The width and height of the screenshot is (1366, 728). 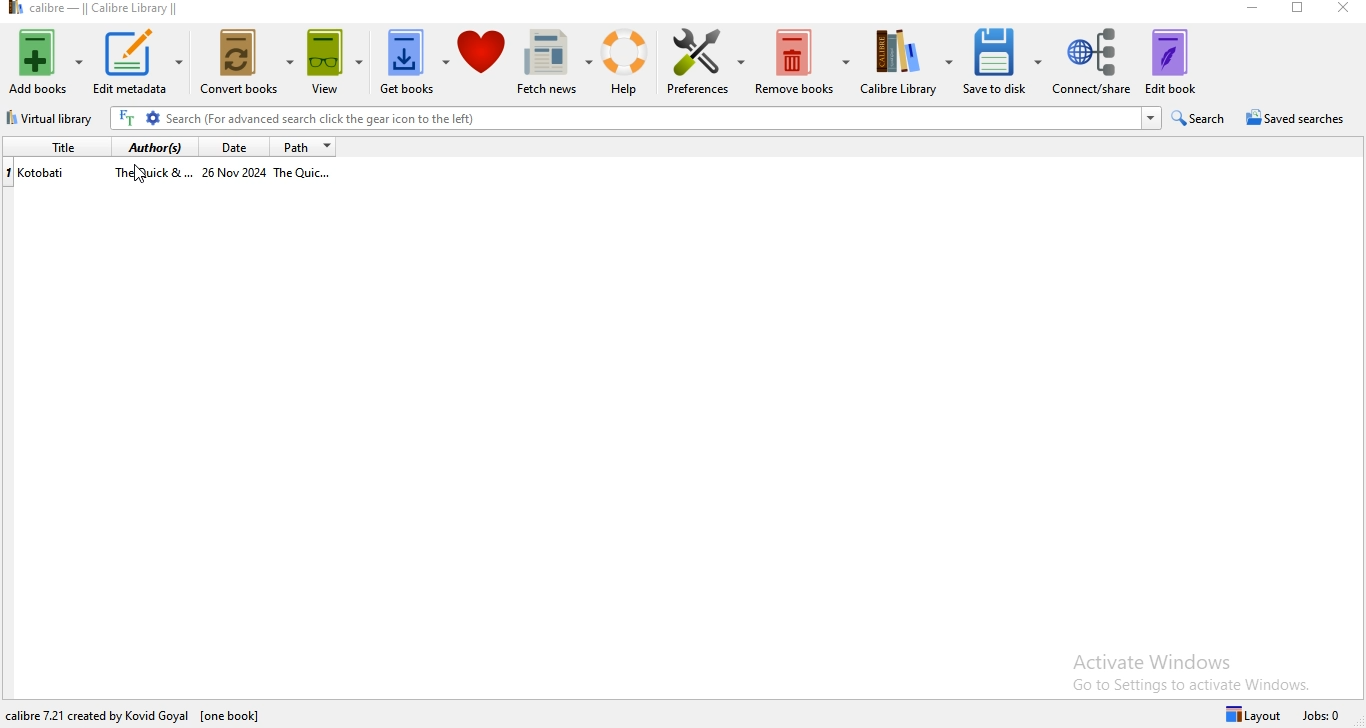 What do you see at coordinates (1090, 61) in the screenshot?
I see `connect/share` at bounding box center [1090, 61].